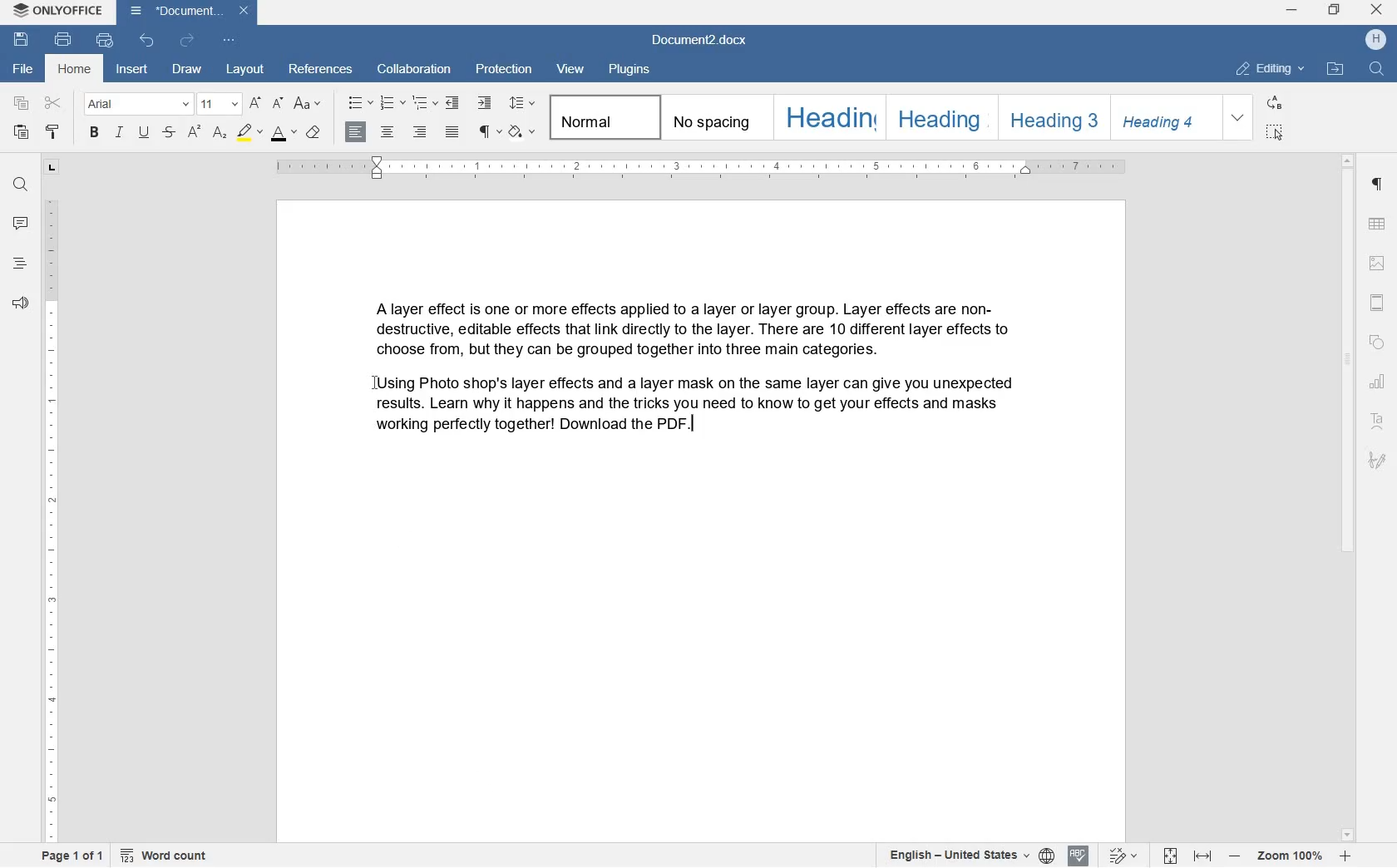  I want to click on HP, so click(1375, 42).